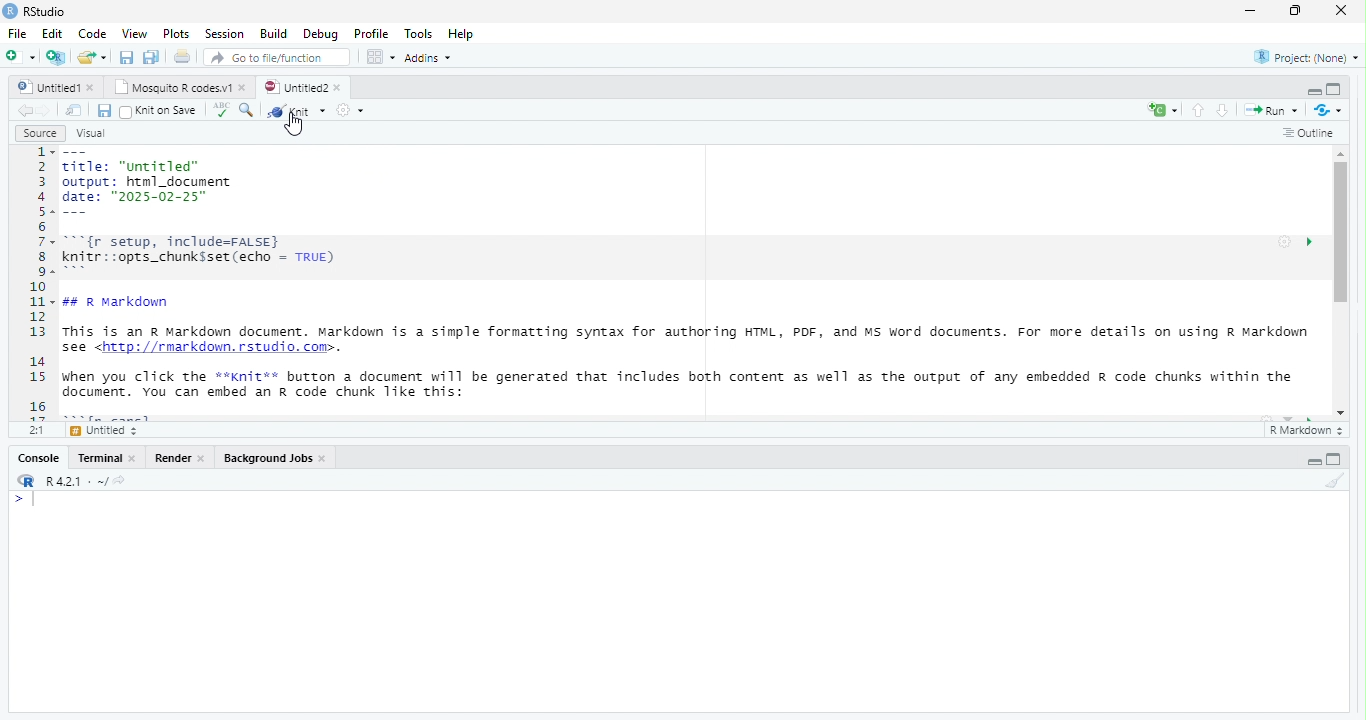  I want to click on Untitled, so click(107, 431).